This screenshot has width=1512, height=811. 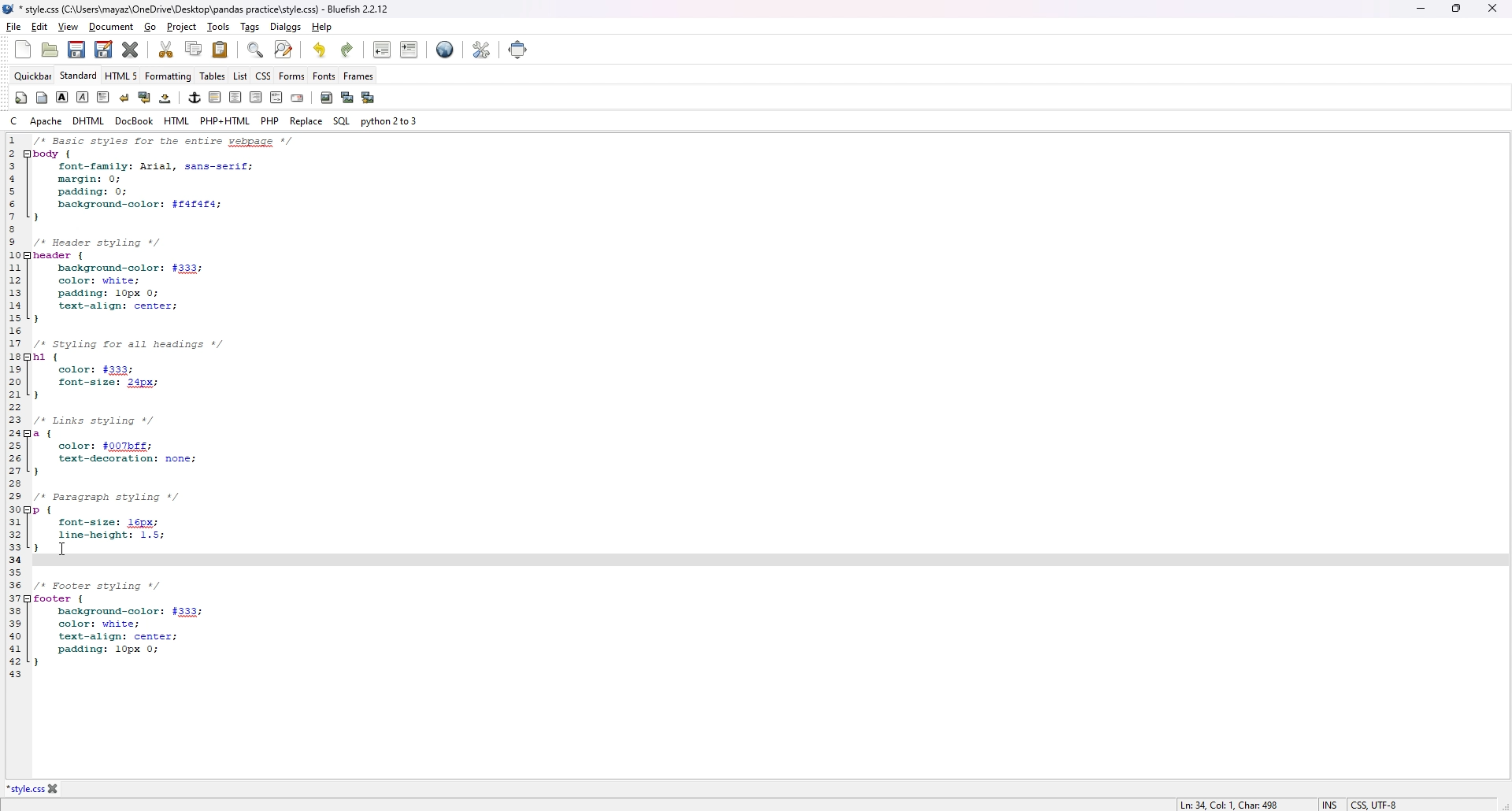 What do you see at coordinates (121, 76) in the screenshot?
I see `html 5` at bounding box center [121, 76].